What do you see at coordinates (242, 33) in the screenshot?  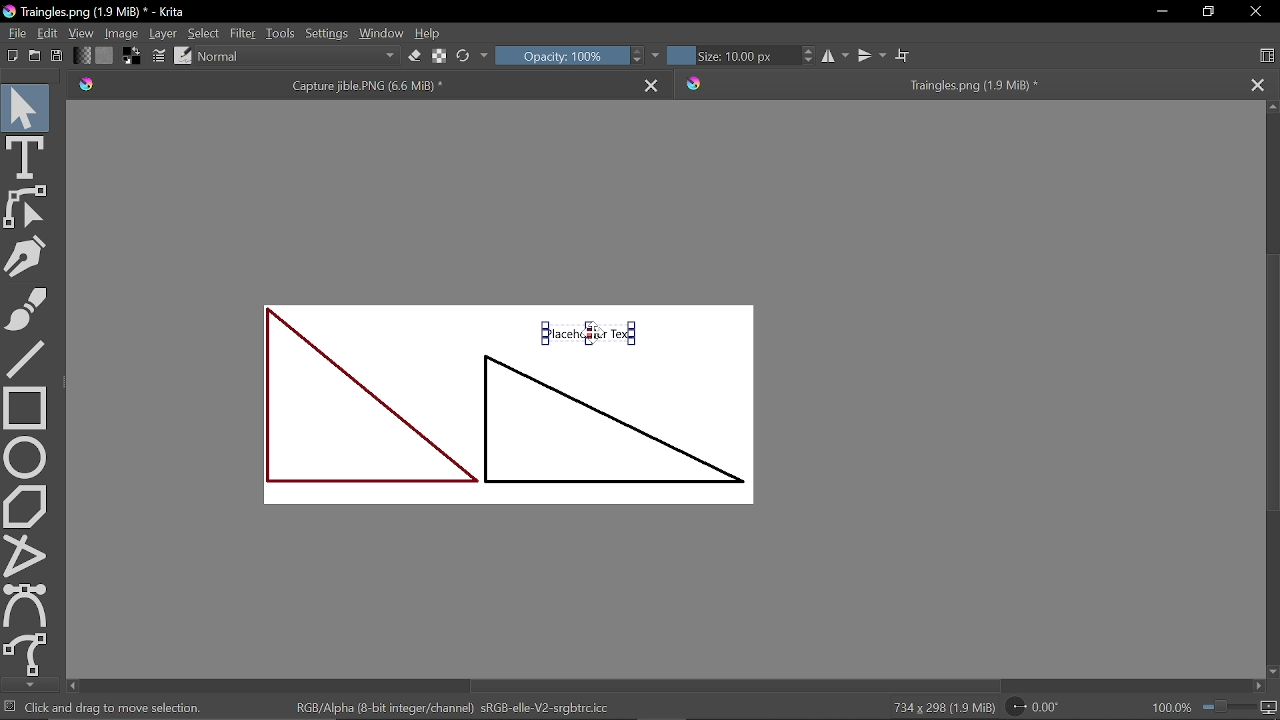 I see `Filter` at bounding box center [242, 33].